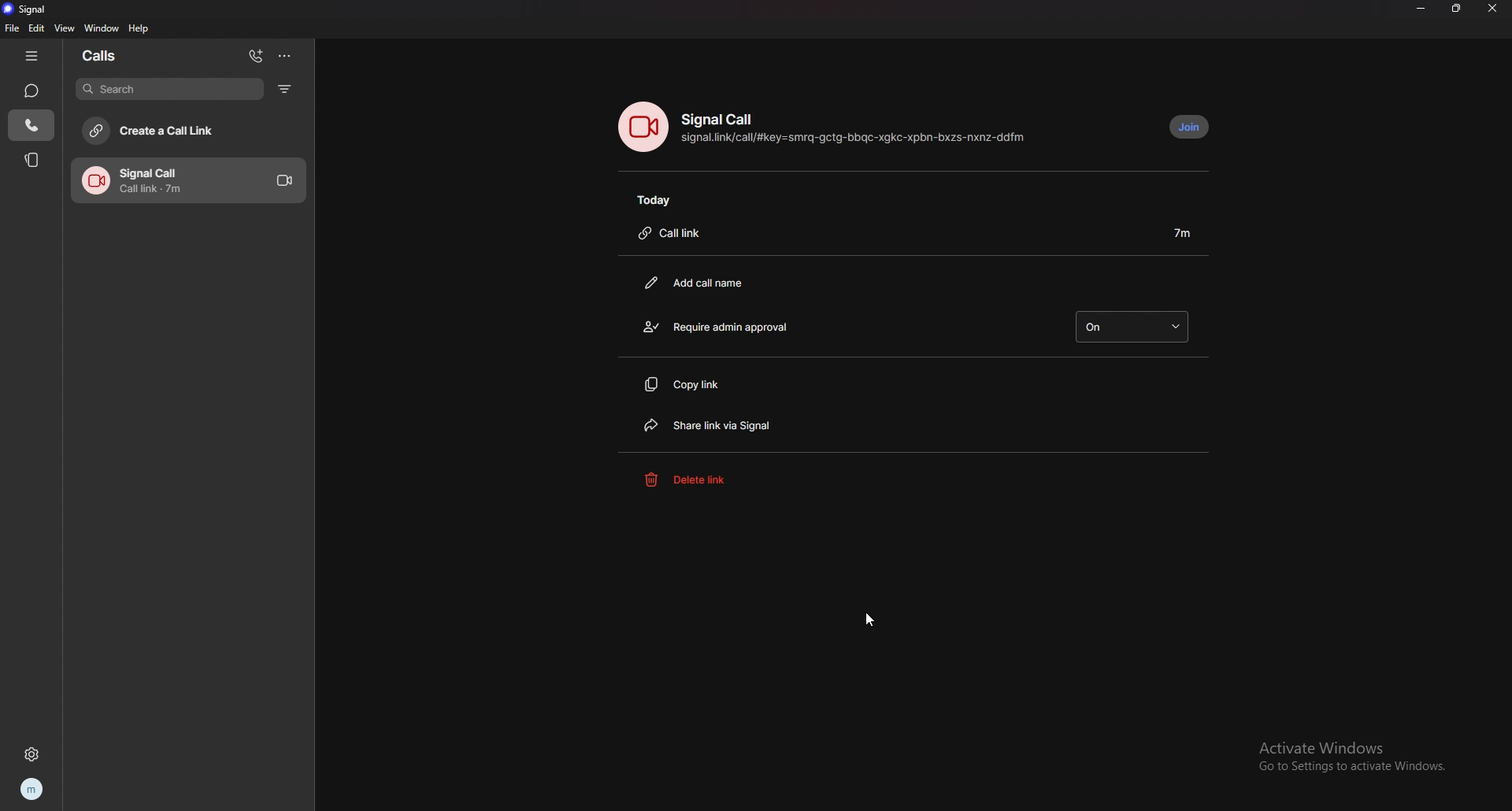 Image resolution: width=1512 pixels, height=811 pixels. Describe the element at coordinates (37, 28) in the screenshot. I see `edit` at that location.